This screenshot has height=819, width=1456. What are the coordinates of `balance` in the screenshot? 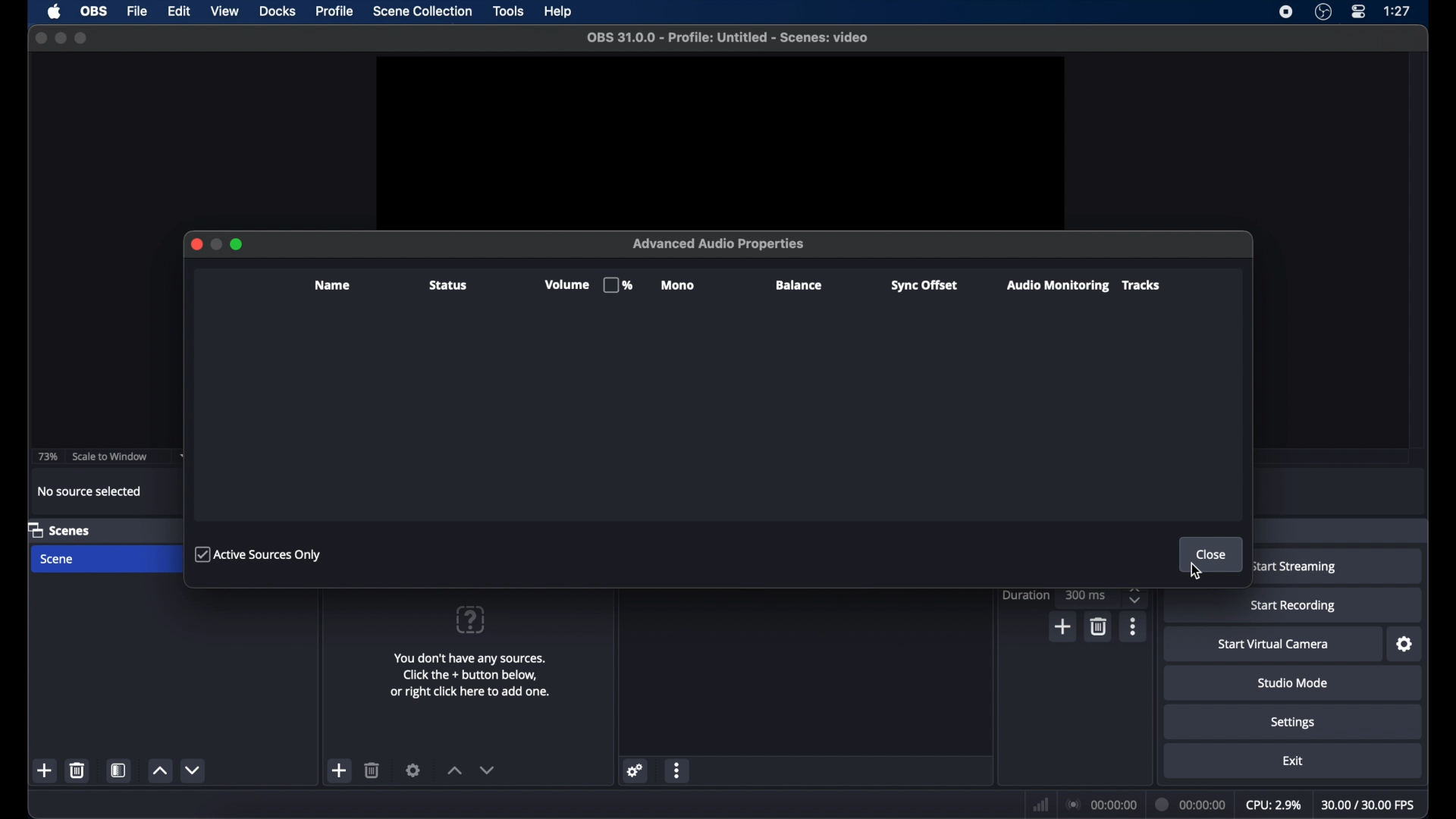 It's located at (800, 285).